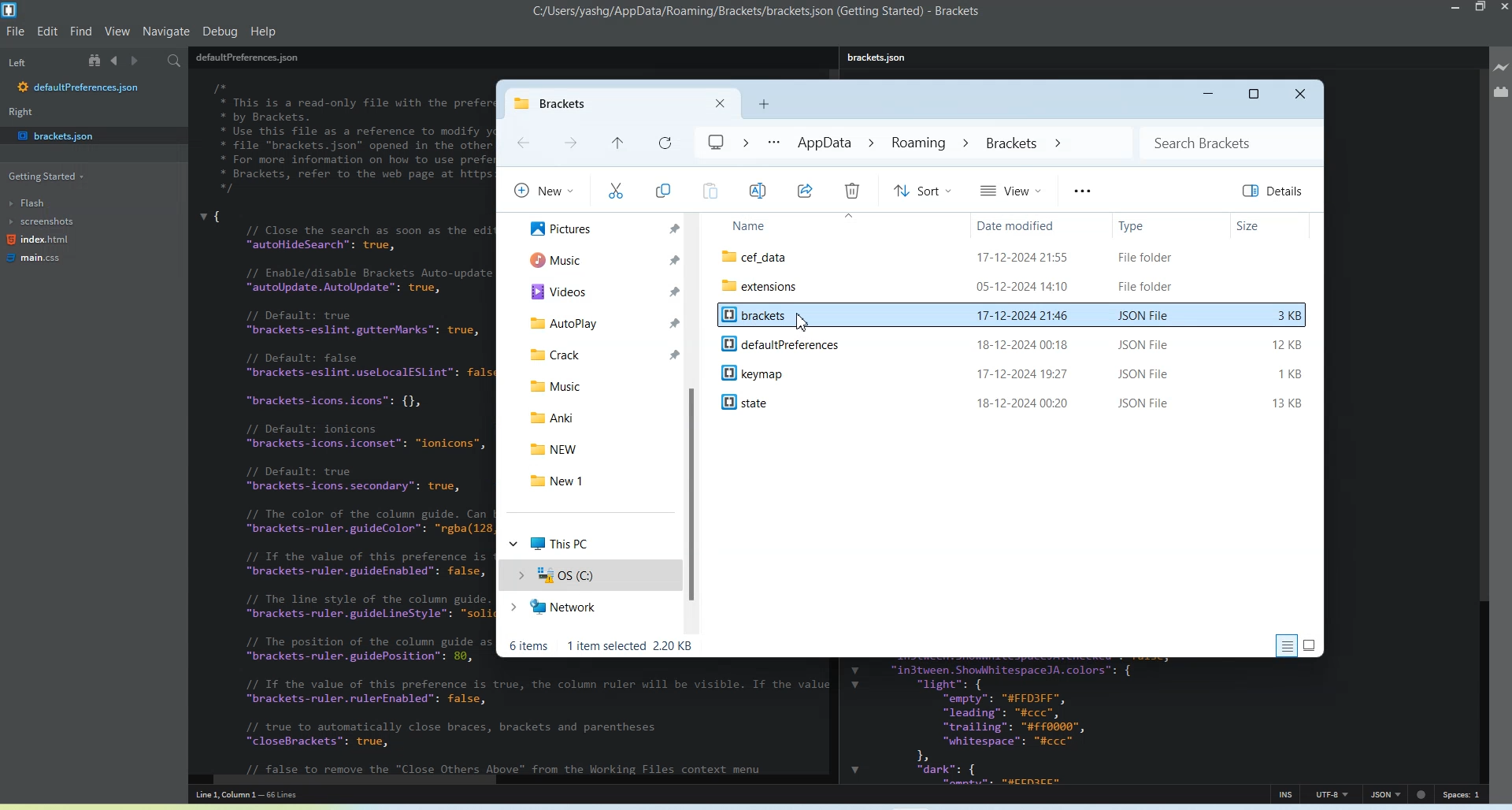 The width and height of the screenshot is (1512, 810). I want to click on errors, so click(1423, 793).